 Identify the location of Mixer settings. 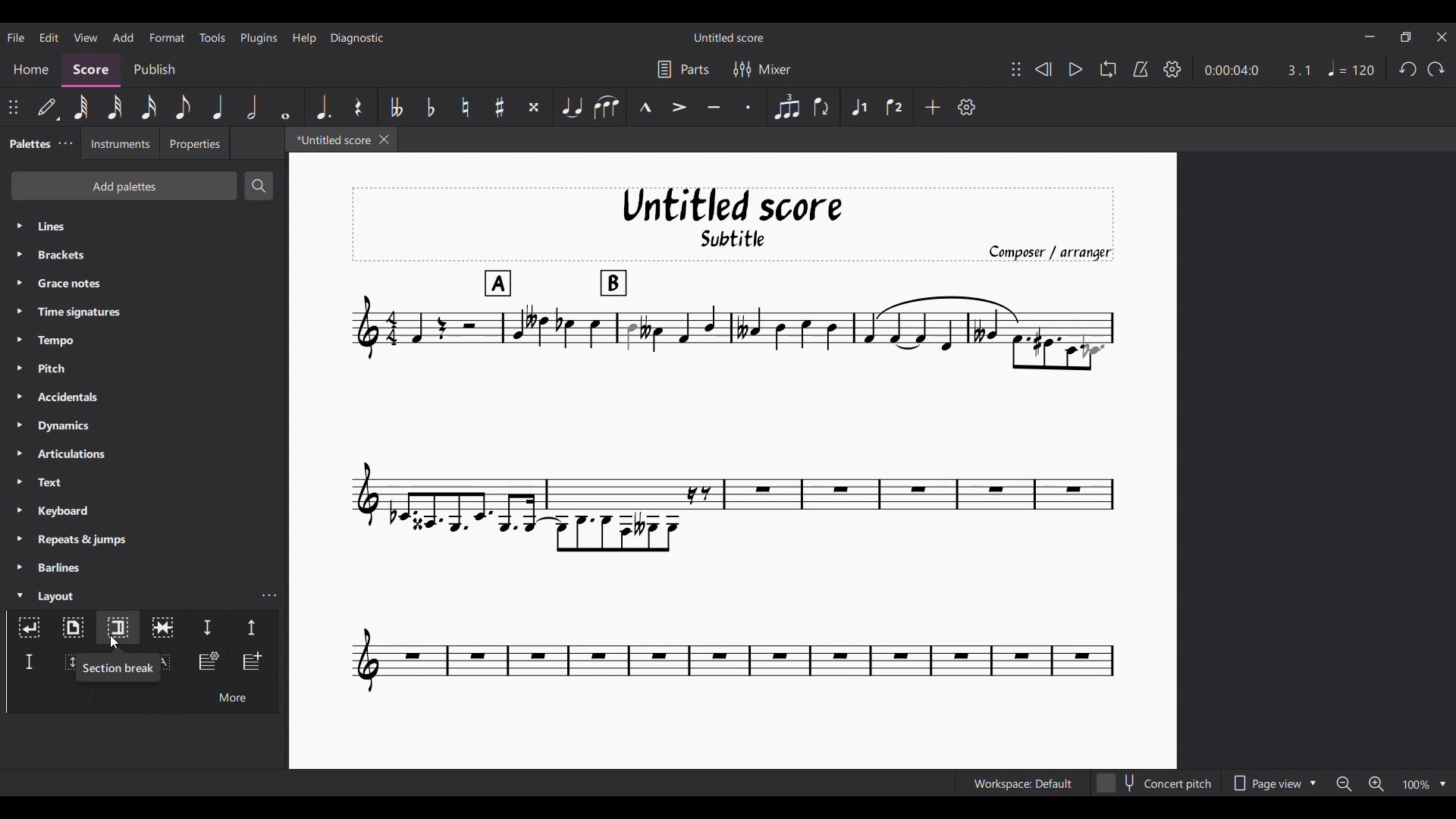
(762, 70).